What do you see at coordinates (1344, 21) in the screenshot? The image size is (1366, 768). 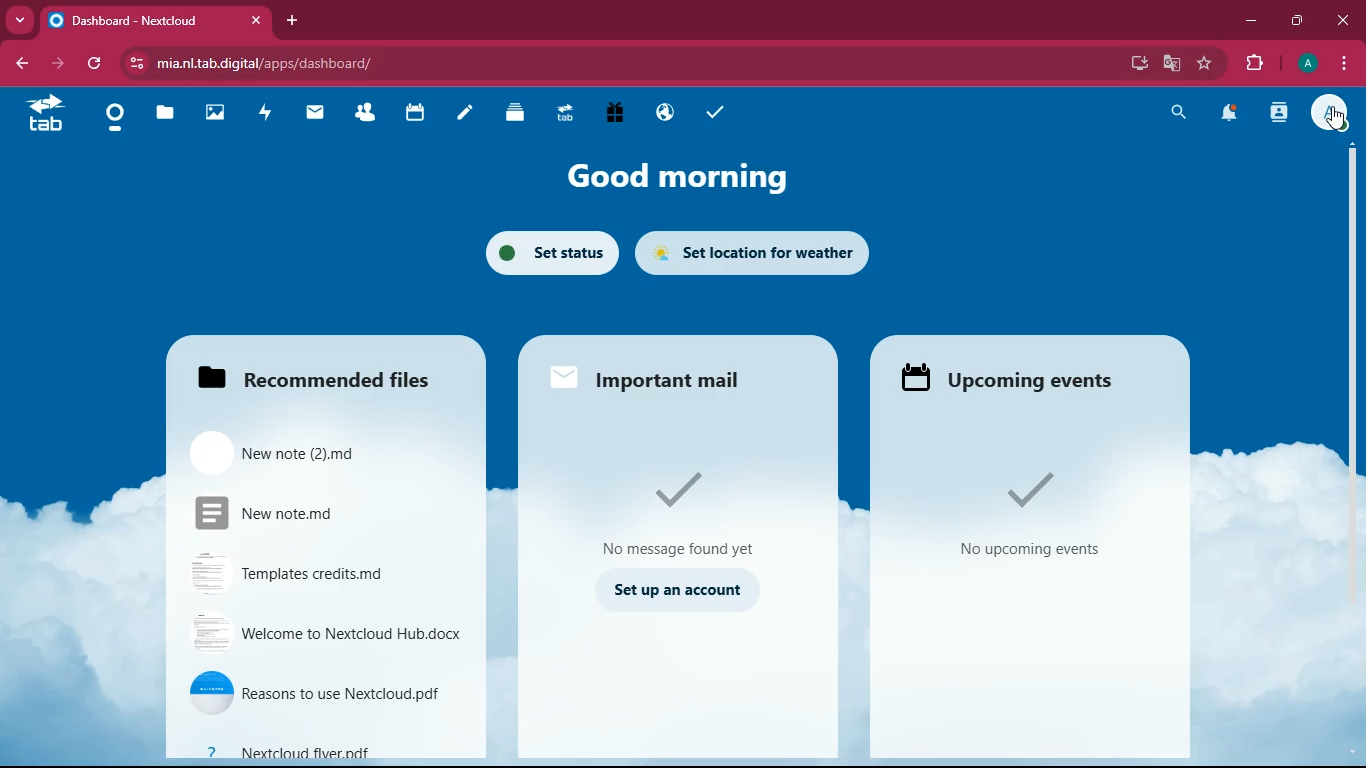 I see `close` at bounding box center [1344, 21].